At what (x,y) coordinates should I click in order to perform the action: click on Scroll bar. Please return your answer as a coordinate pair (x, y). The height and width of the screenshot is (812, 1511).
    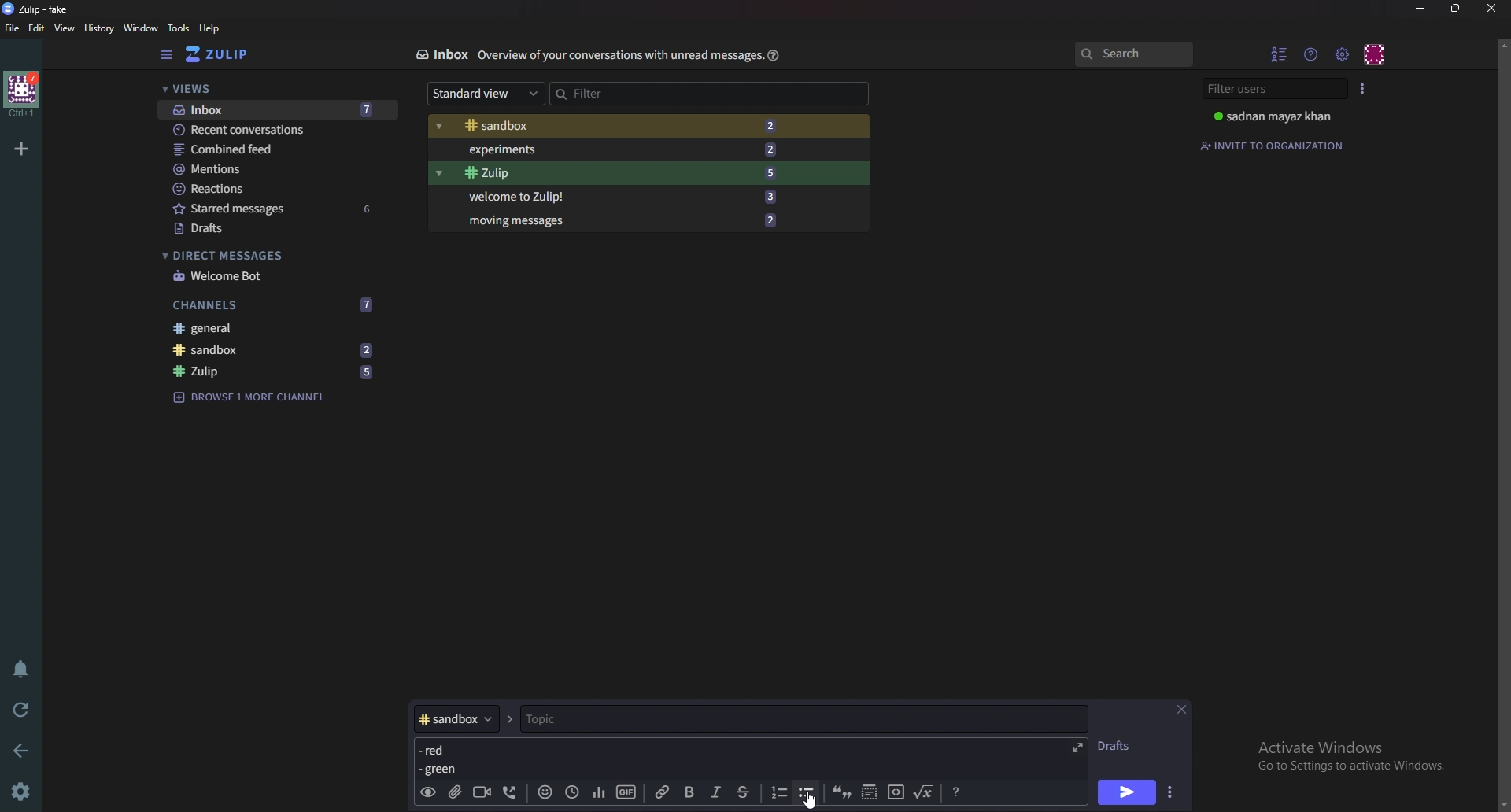
    Looking at the image, I should click on (1502, 424).